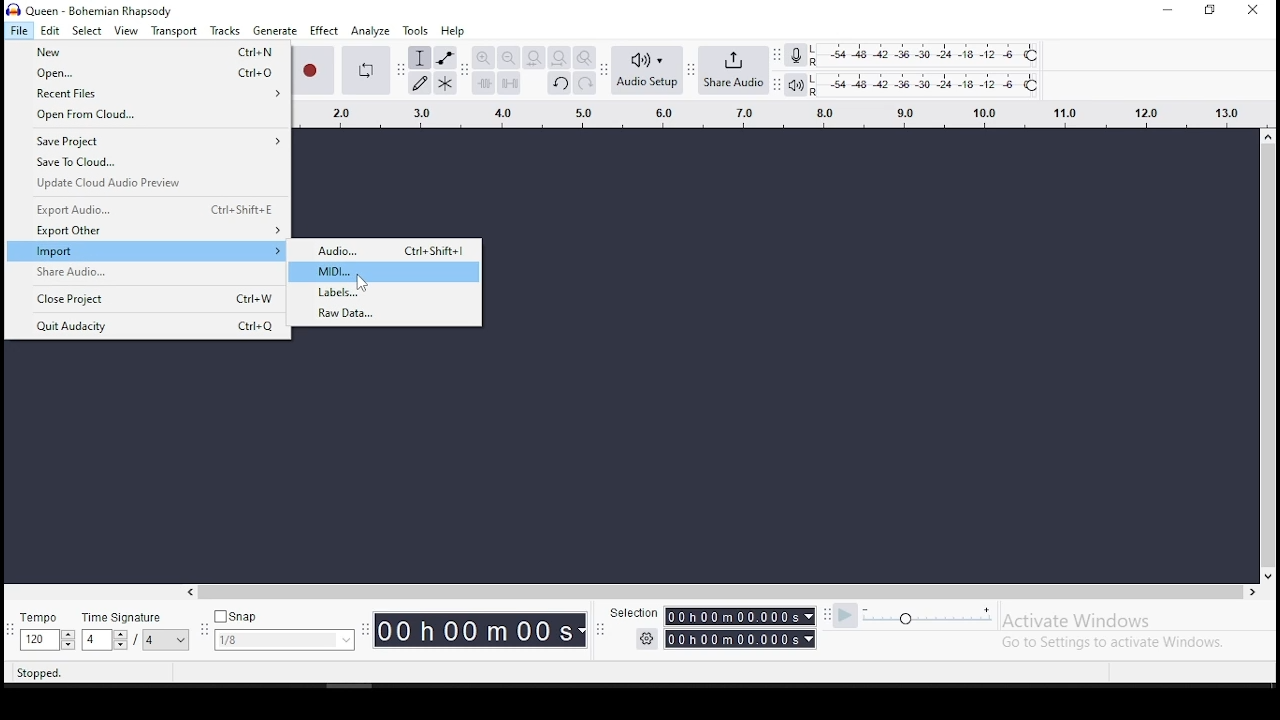 Image resolution: width=1280 pixels, height=720 pixels. Describe the element at coordinates (138, 632) in the screenshot. I see `time signature` at that location.